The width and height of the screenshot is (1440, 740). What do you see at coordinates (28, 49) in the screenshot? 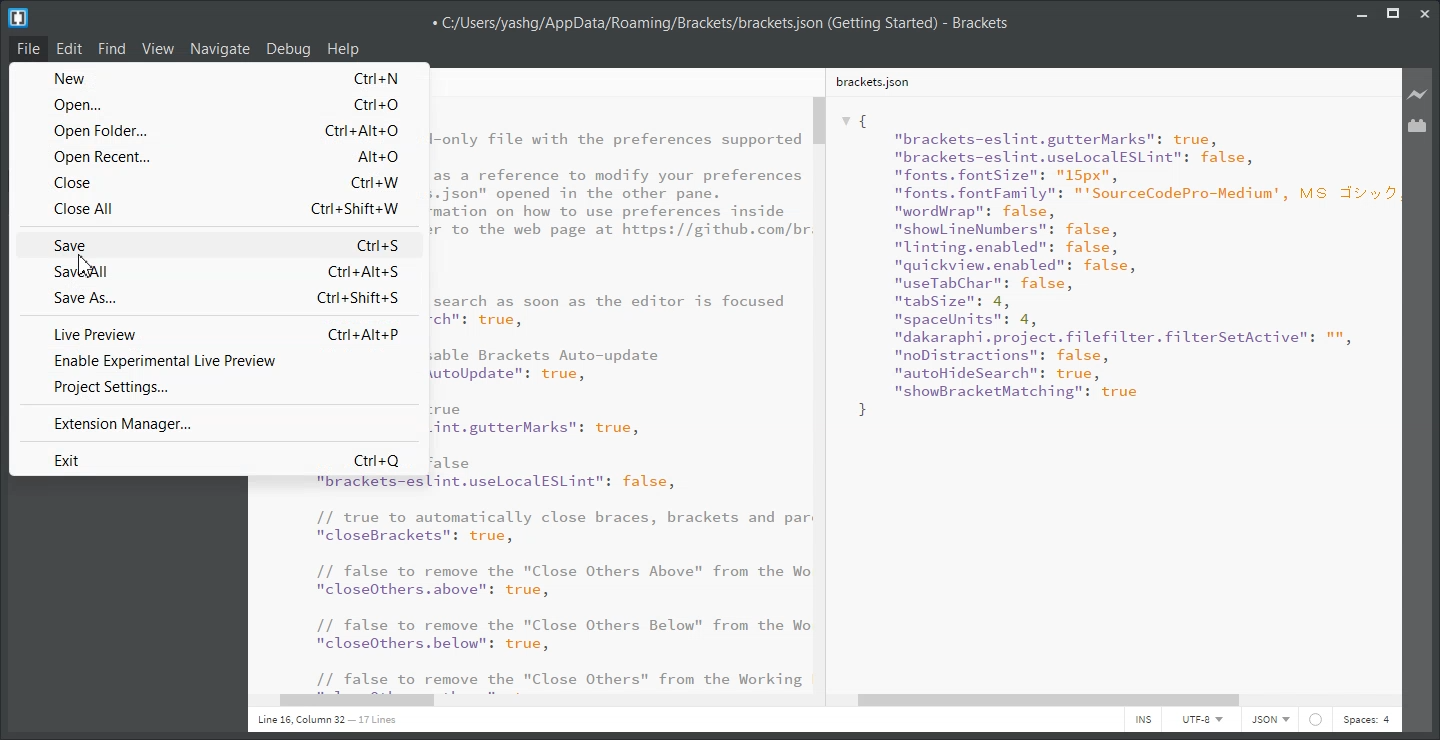
I see `File` at bounding box center [28, 49].